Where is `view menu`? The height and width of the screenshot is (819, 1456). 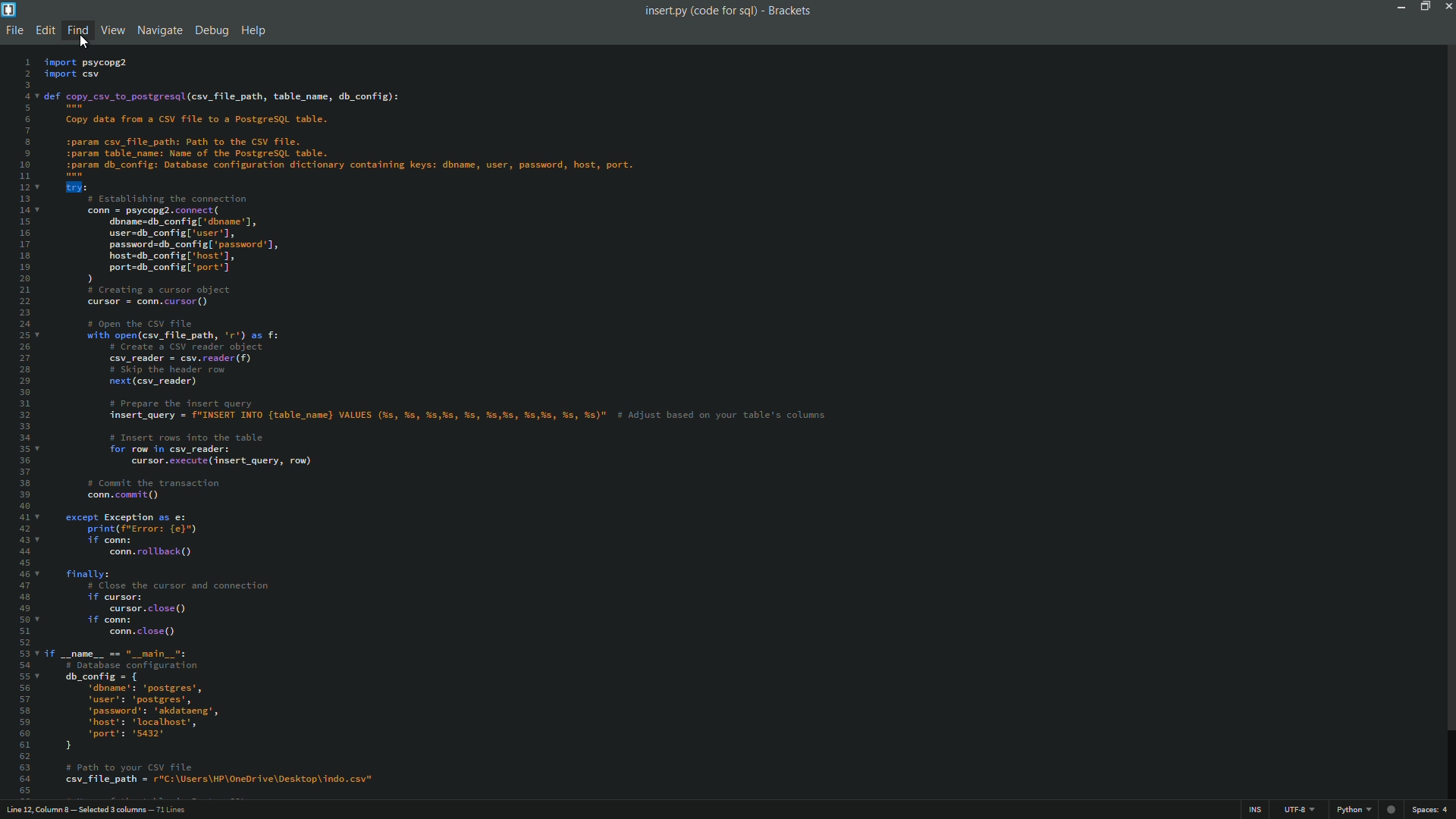 view menu is located at coordinates (112, 30).